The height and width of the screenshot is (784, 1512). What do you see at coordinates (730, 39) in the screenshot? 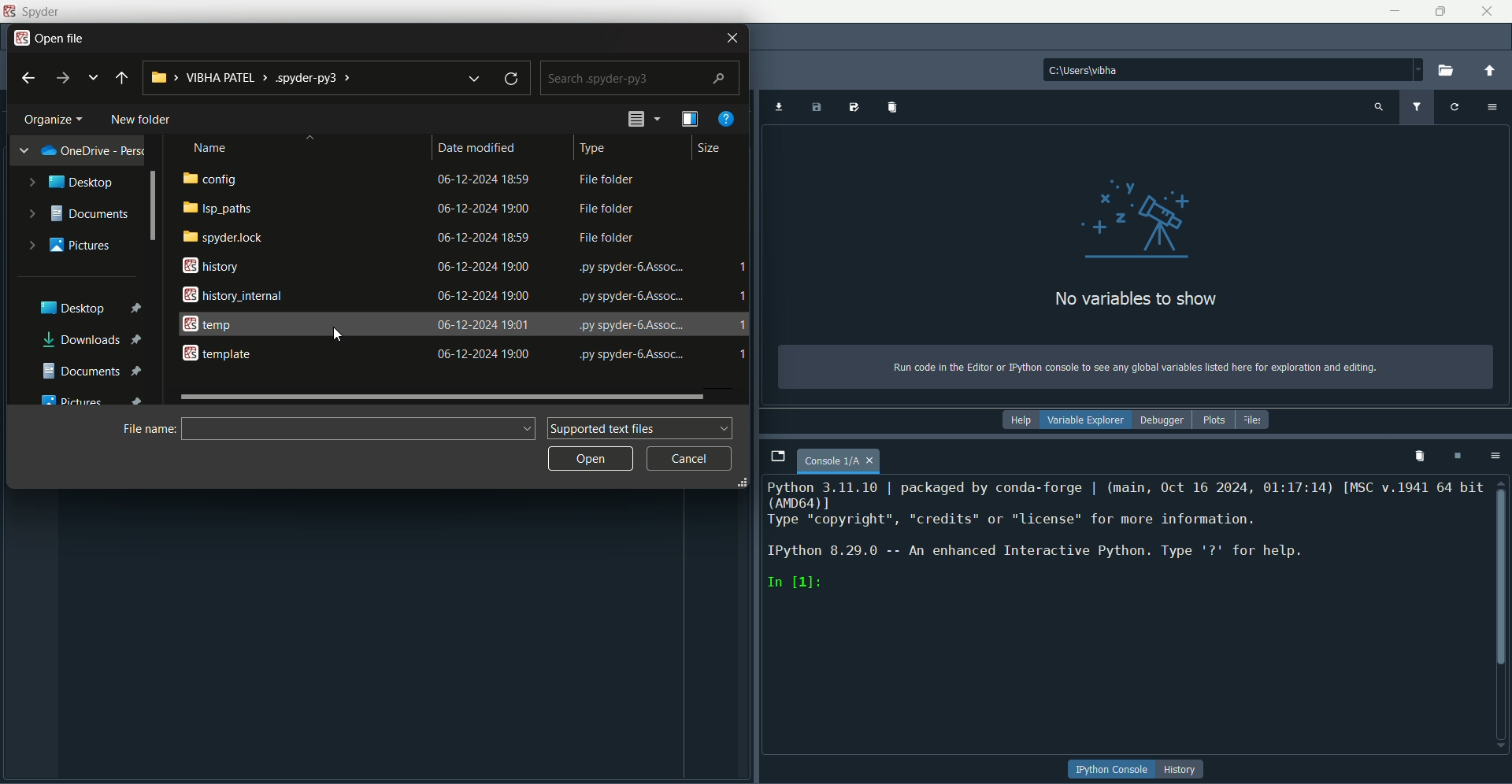
I see `close` at bounding box center [730, 39].